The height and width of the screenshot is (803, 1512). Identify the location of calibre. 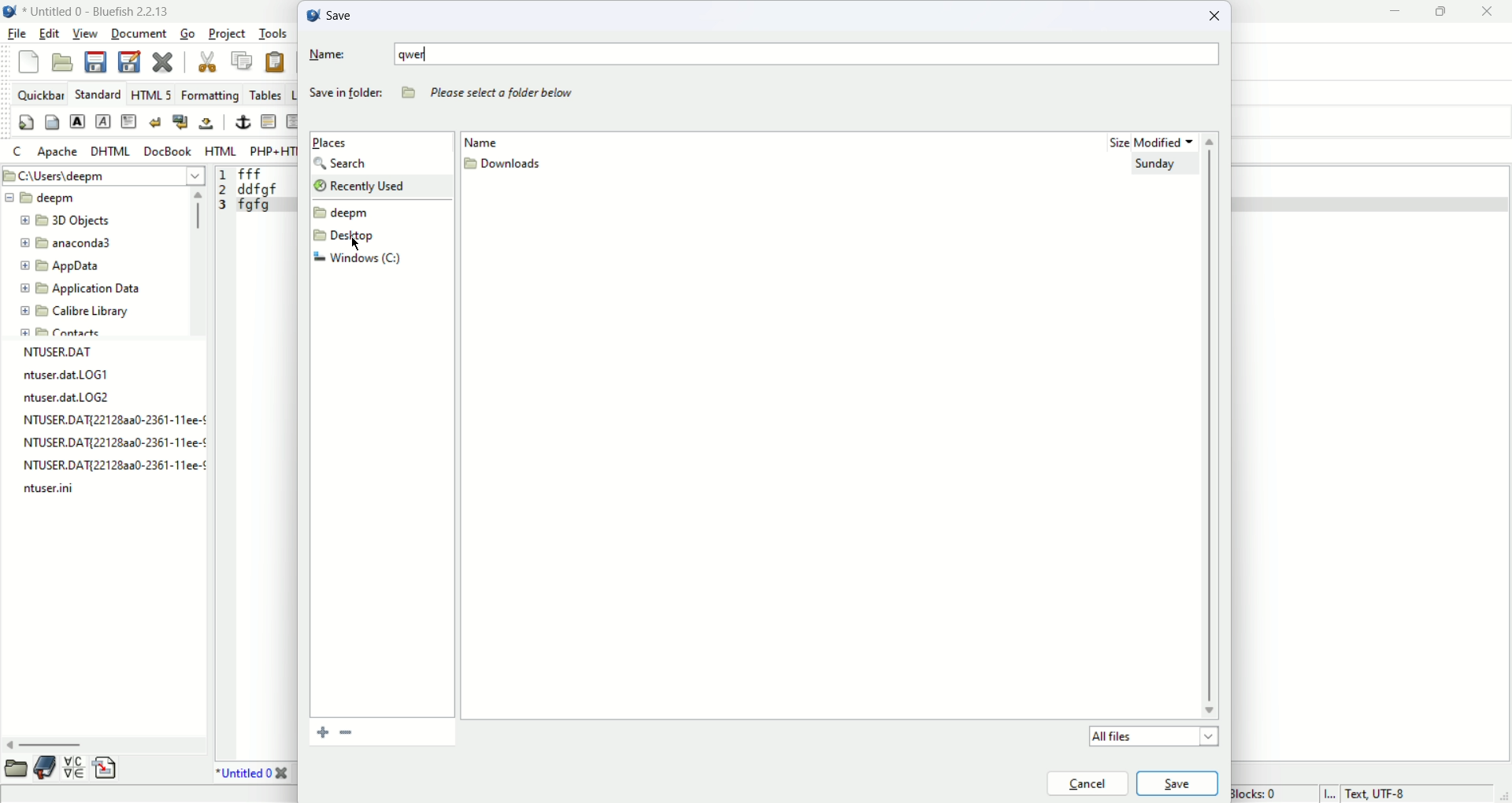
(76, 313).